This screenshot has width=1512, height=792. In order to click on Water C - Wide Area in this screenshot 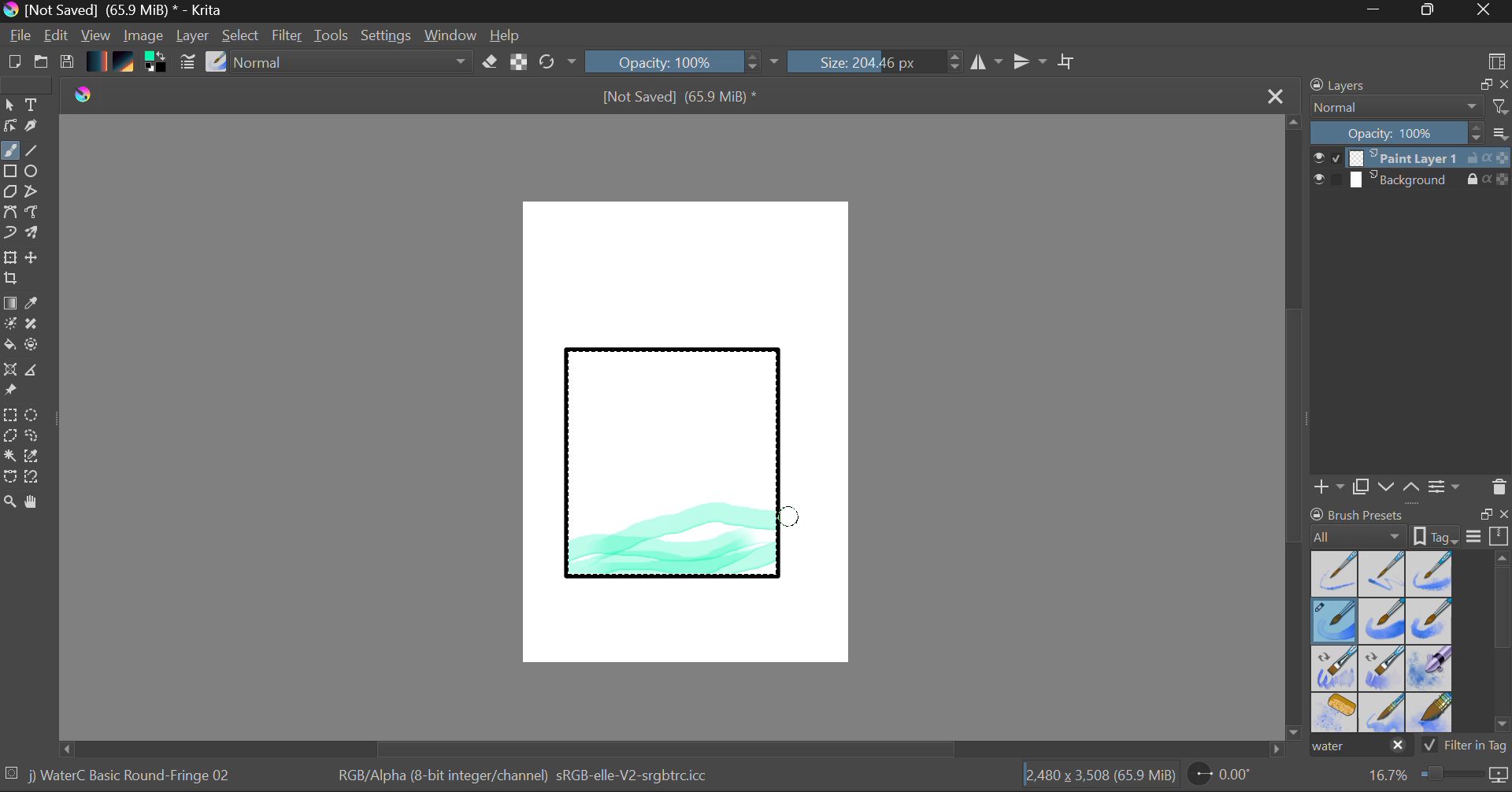, I will do `click(1432, 713)`.